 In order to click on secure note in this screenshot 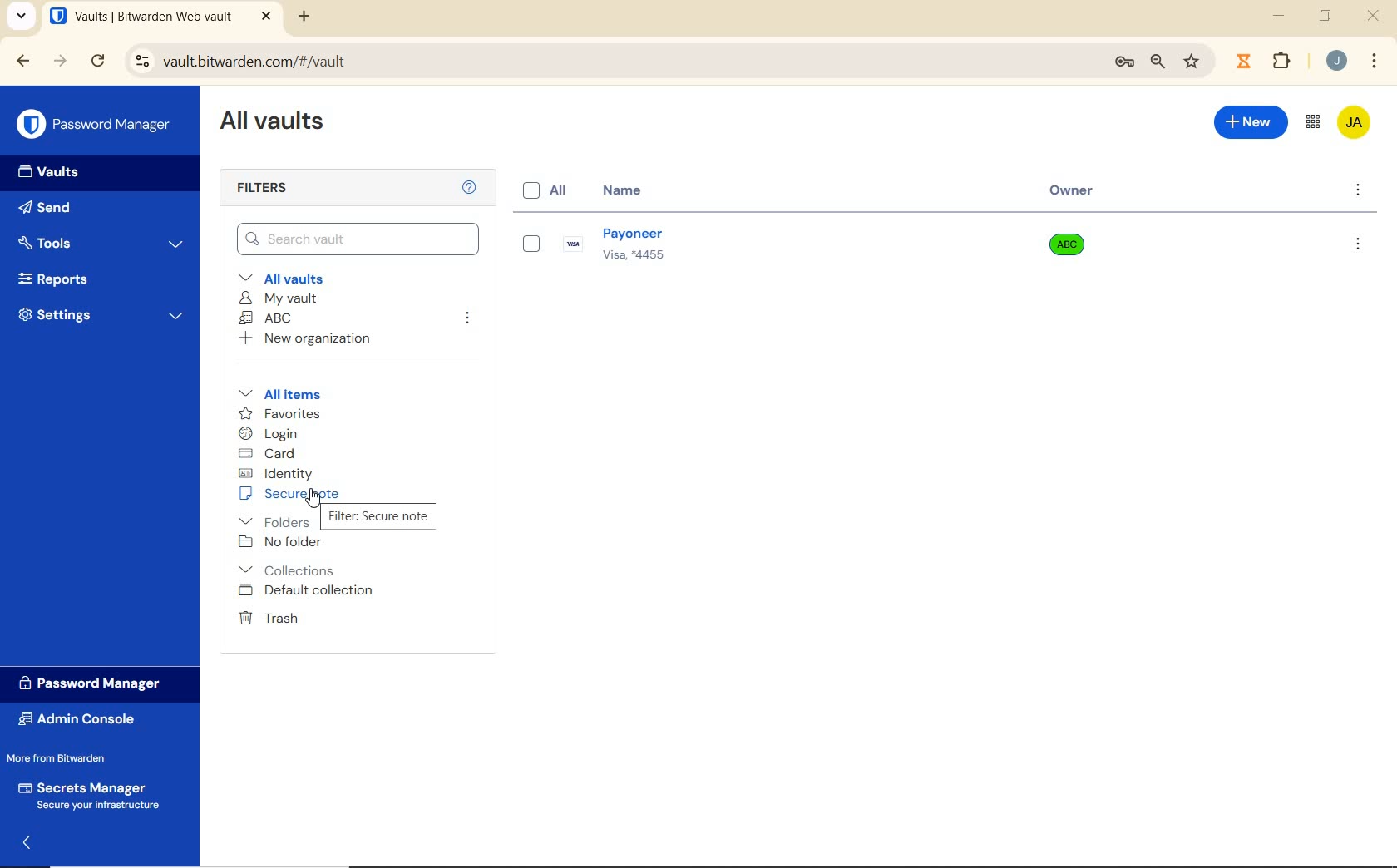, I will do `click(294, 494)`.